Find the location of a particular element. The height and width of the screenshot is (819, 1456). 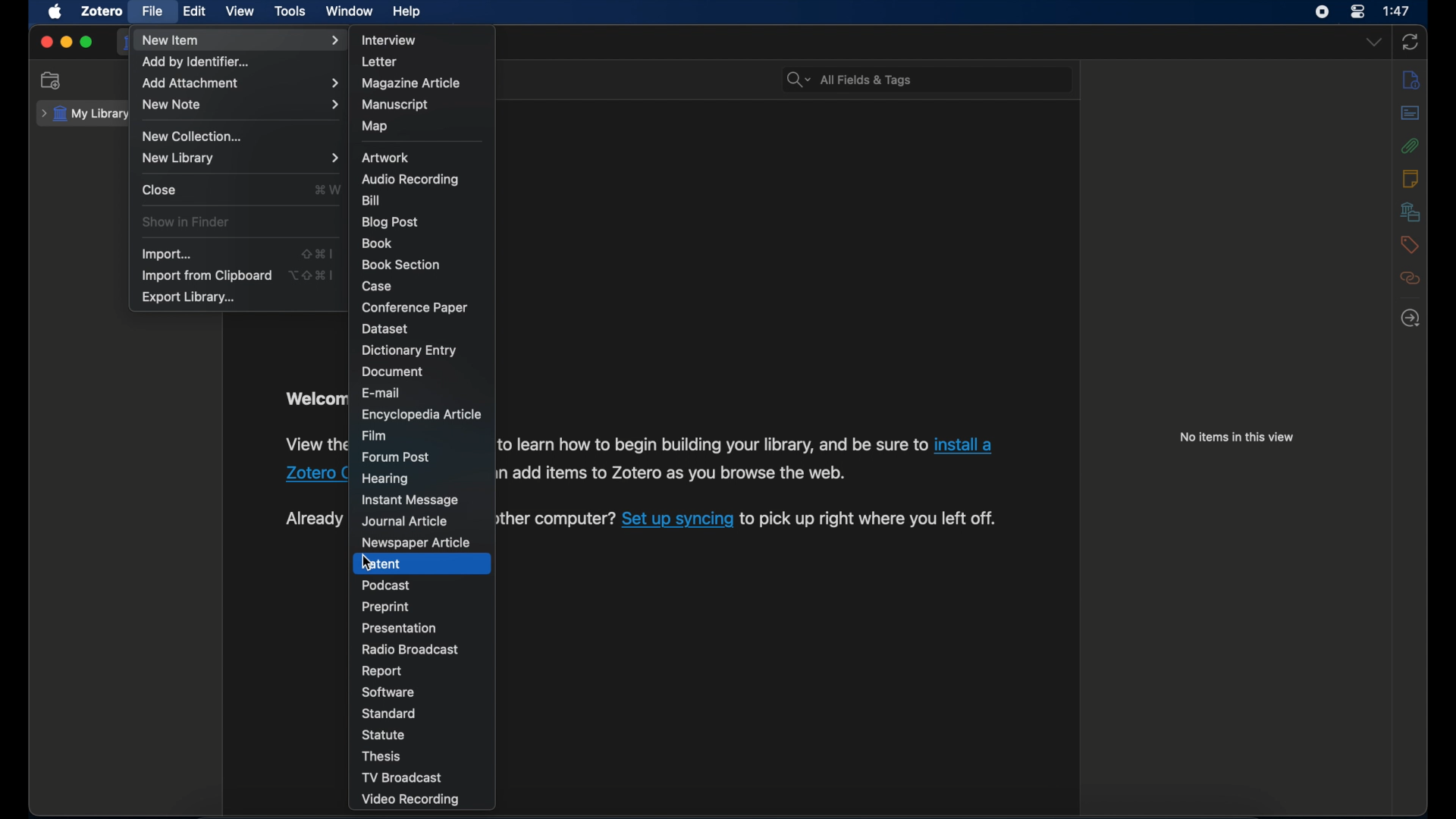

or computer? is located at coordinates (558, 519).